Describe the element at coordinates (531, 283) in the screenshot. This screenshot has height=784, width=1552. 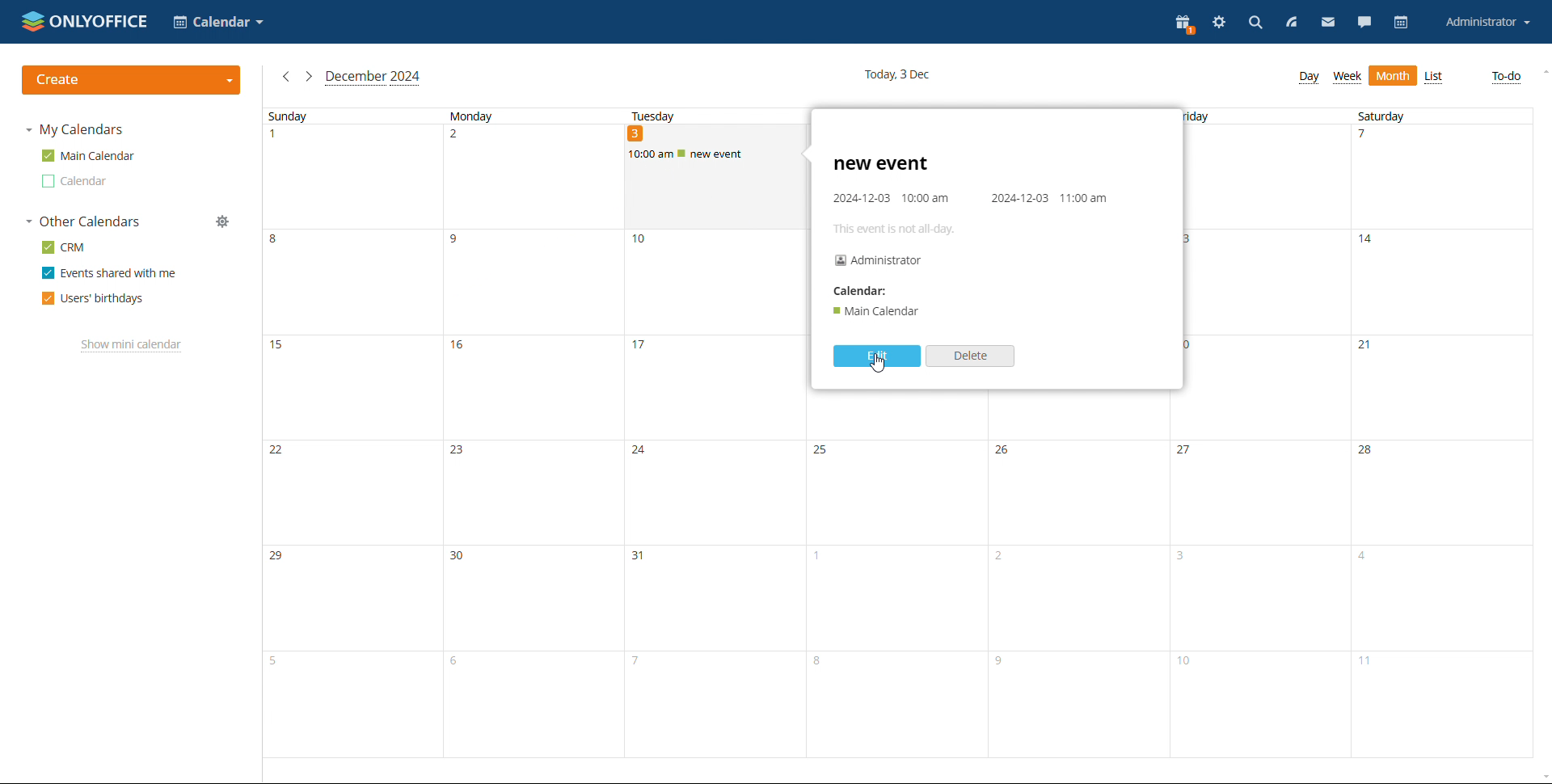
I see `9` at that location.